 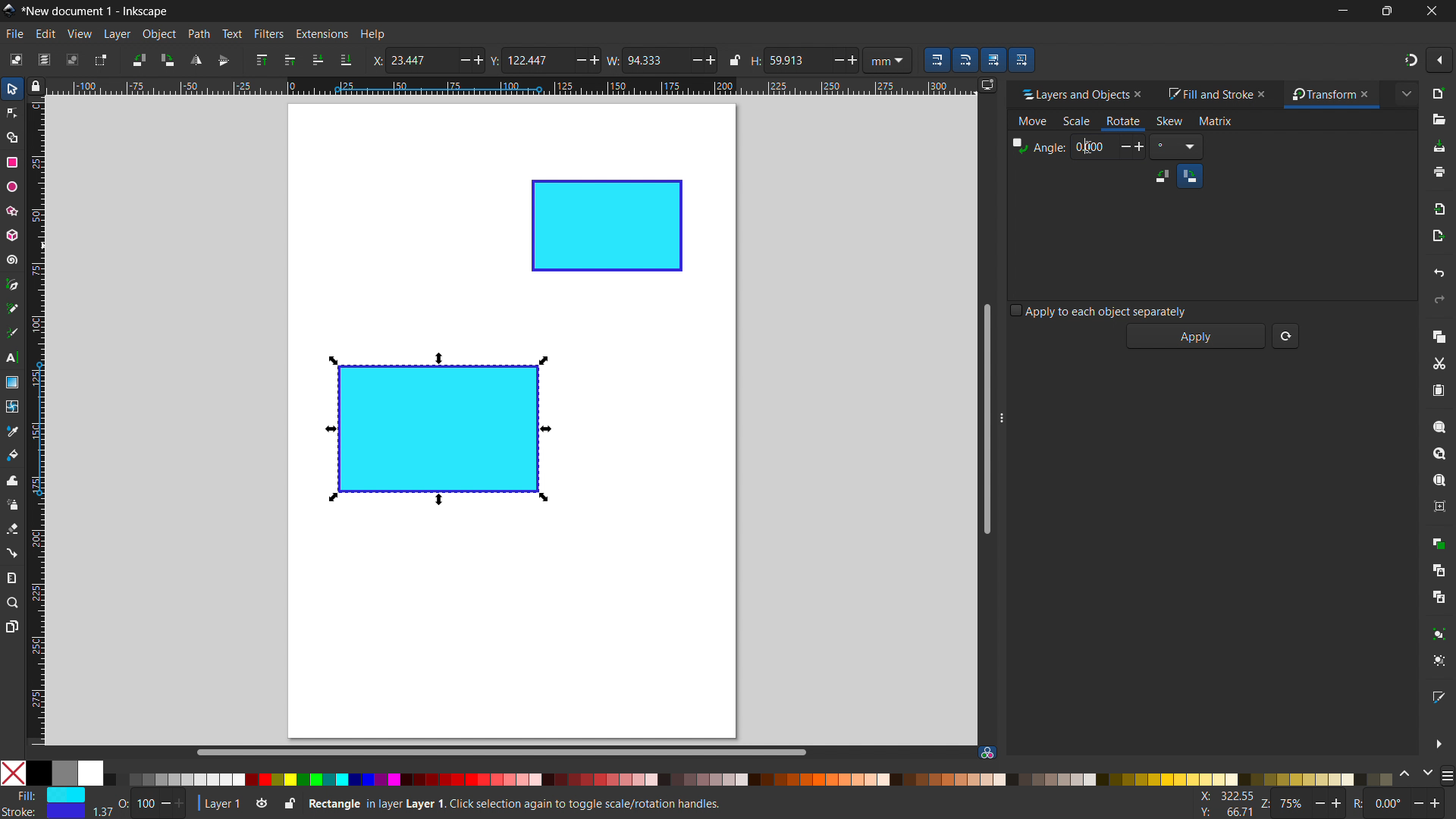 I want to click on Solid Black, so click(x=39, y=774).